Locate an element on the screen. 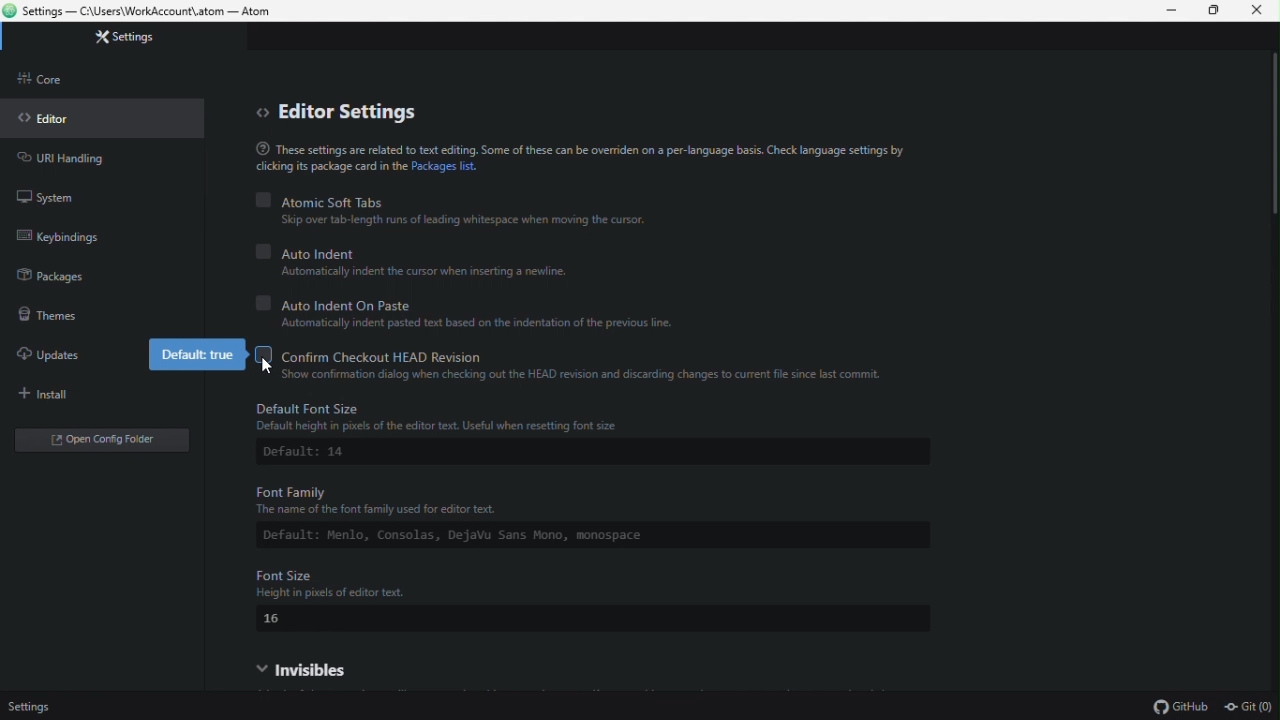  Open folder is located at coordinates (117, 440).